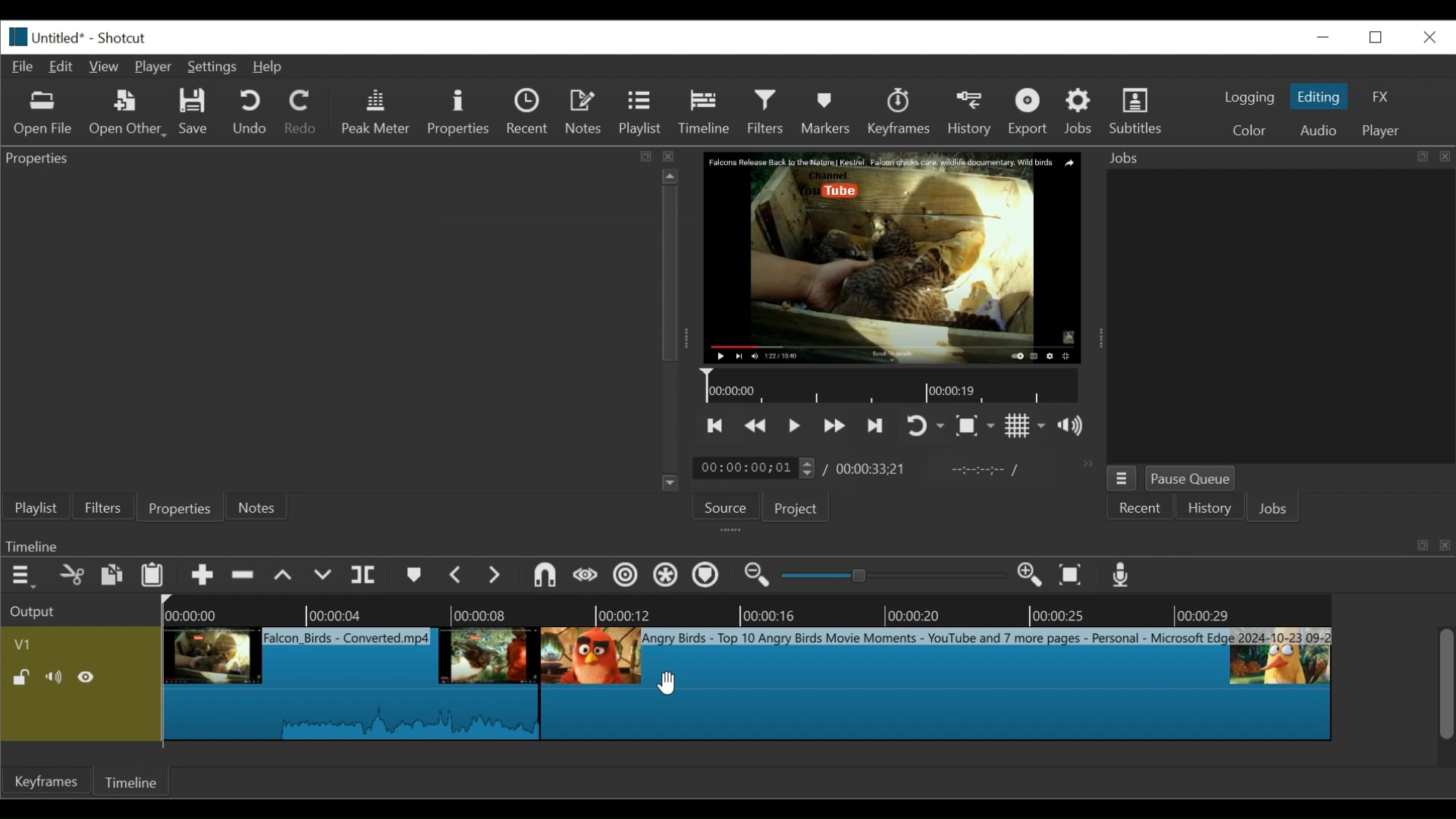 Image resolution: width=1456 pixels, height=819 pixels. I want to click on Filters, so click(102, 507).